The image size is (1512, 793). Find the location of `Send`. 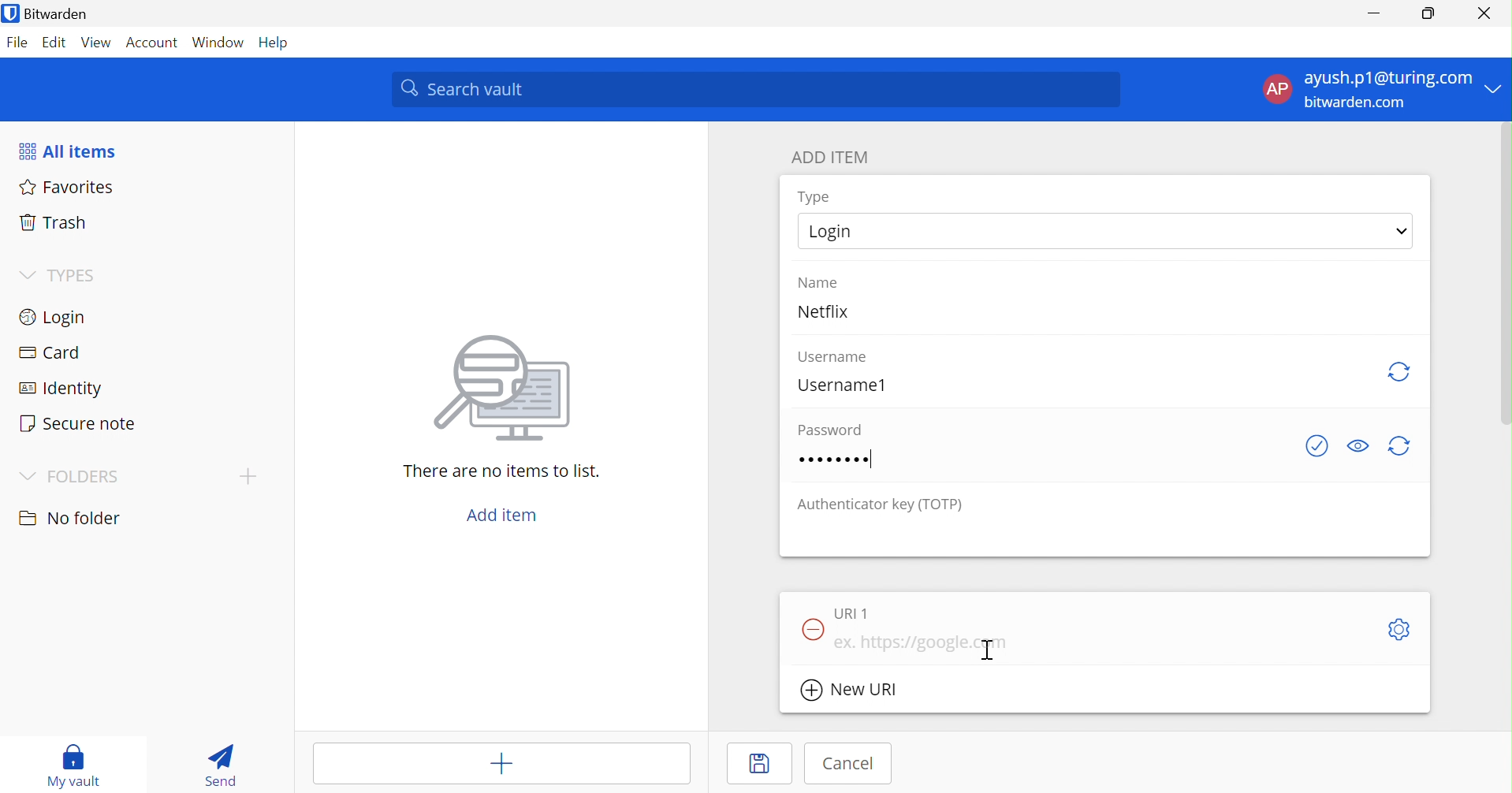

Send is located at coordinates (220, 768).